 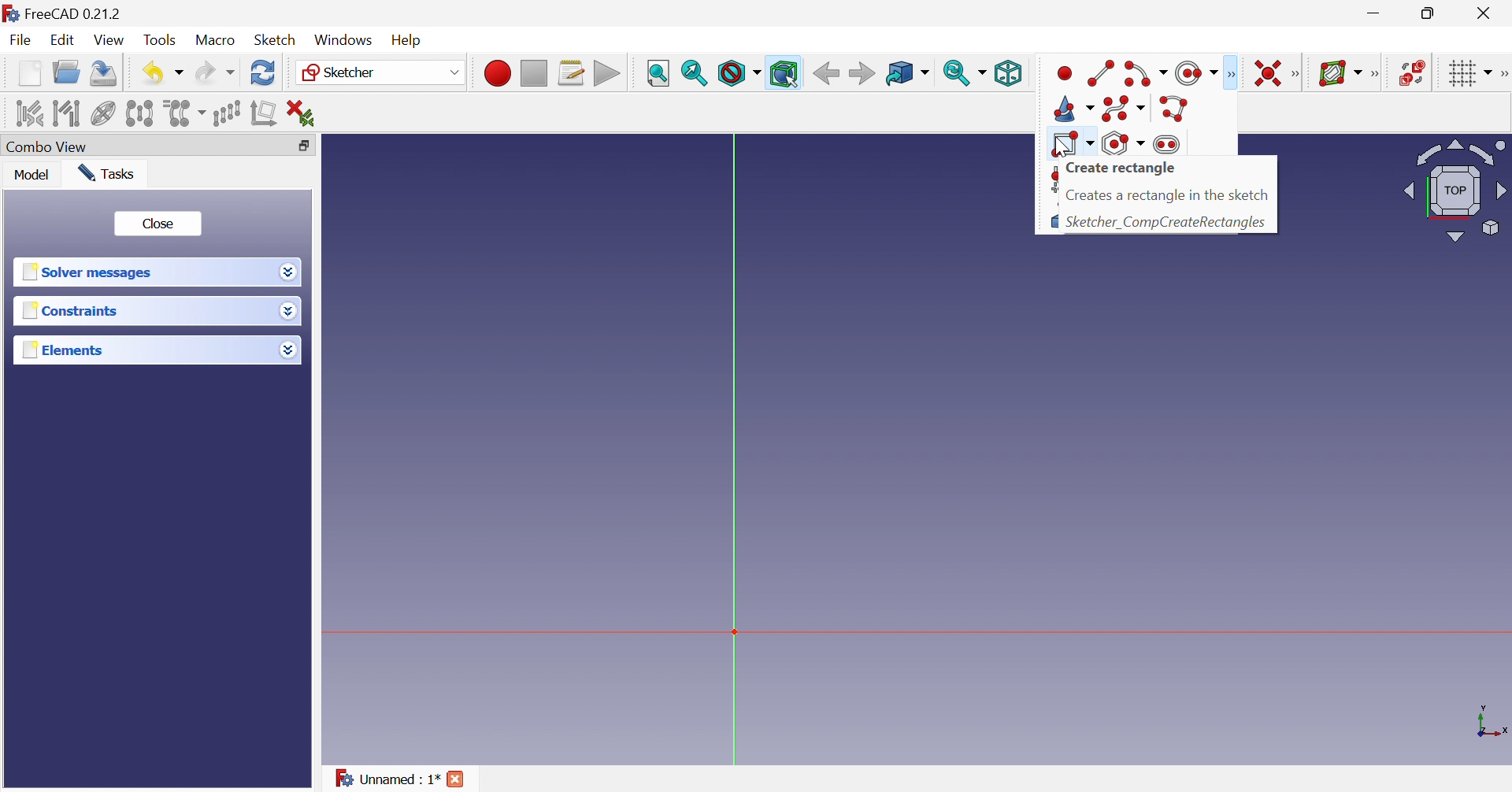 What do you see at coordinates (74, 13) in the screenshot?
I see `FreeCAD 0.21.2` at bounding box center [74, 13].